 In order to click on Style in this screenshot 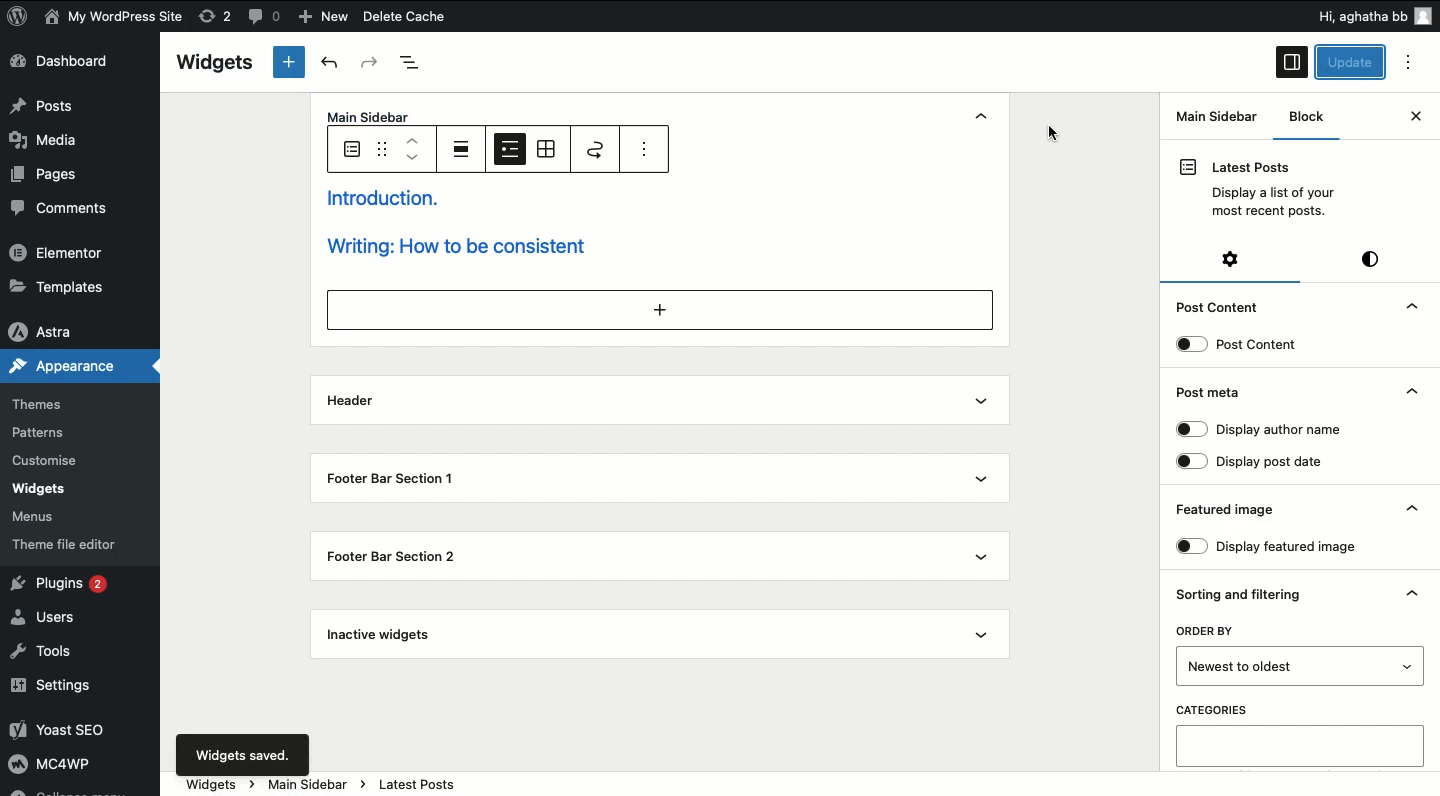, I will do `click(1374, 261)`.